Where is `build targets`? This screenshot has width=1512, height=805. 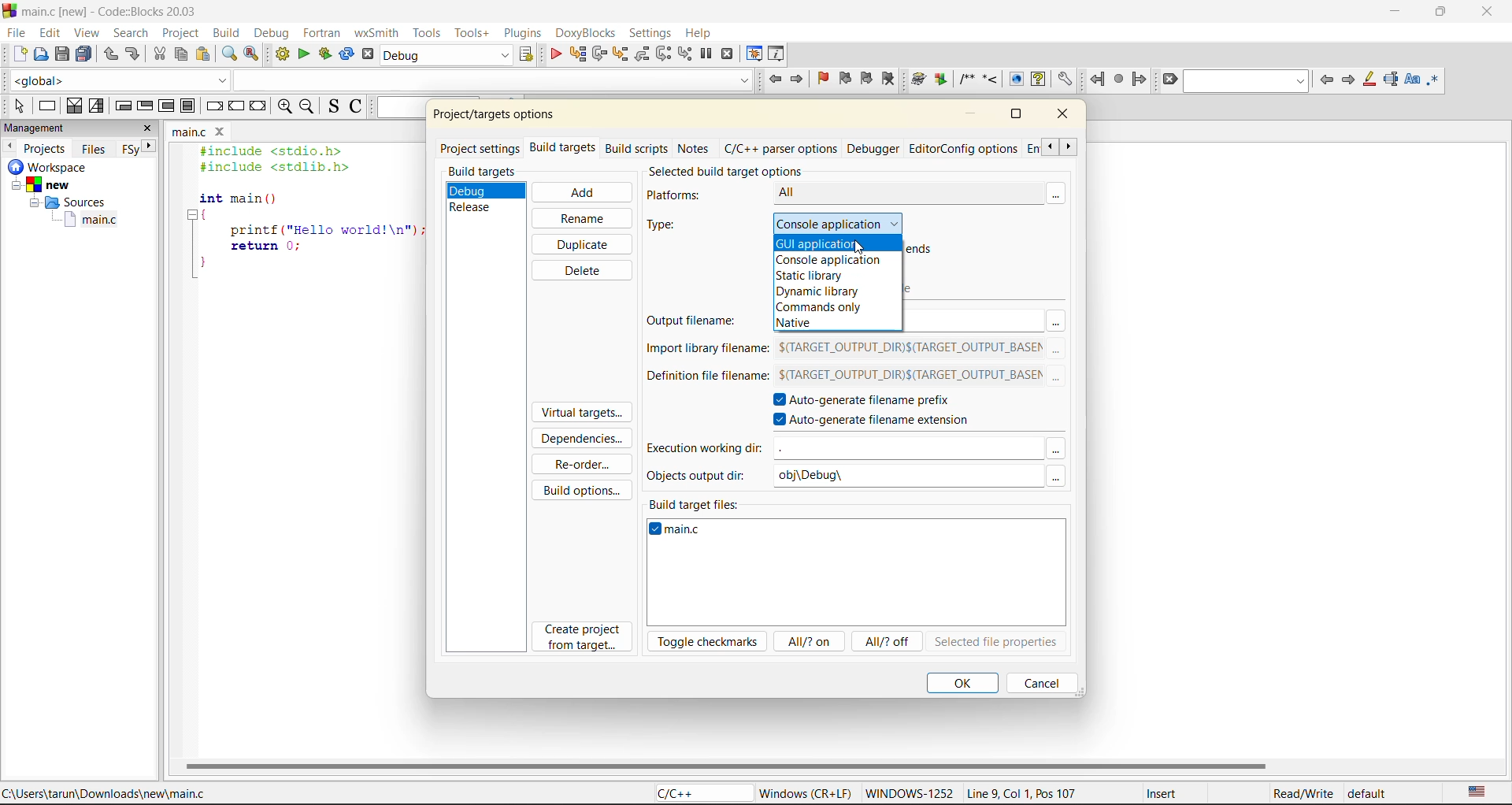 build targets is located at coordinates (482, 171).